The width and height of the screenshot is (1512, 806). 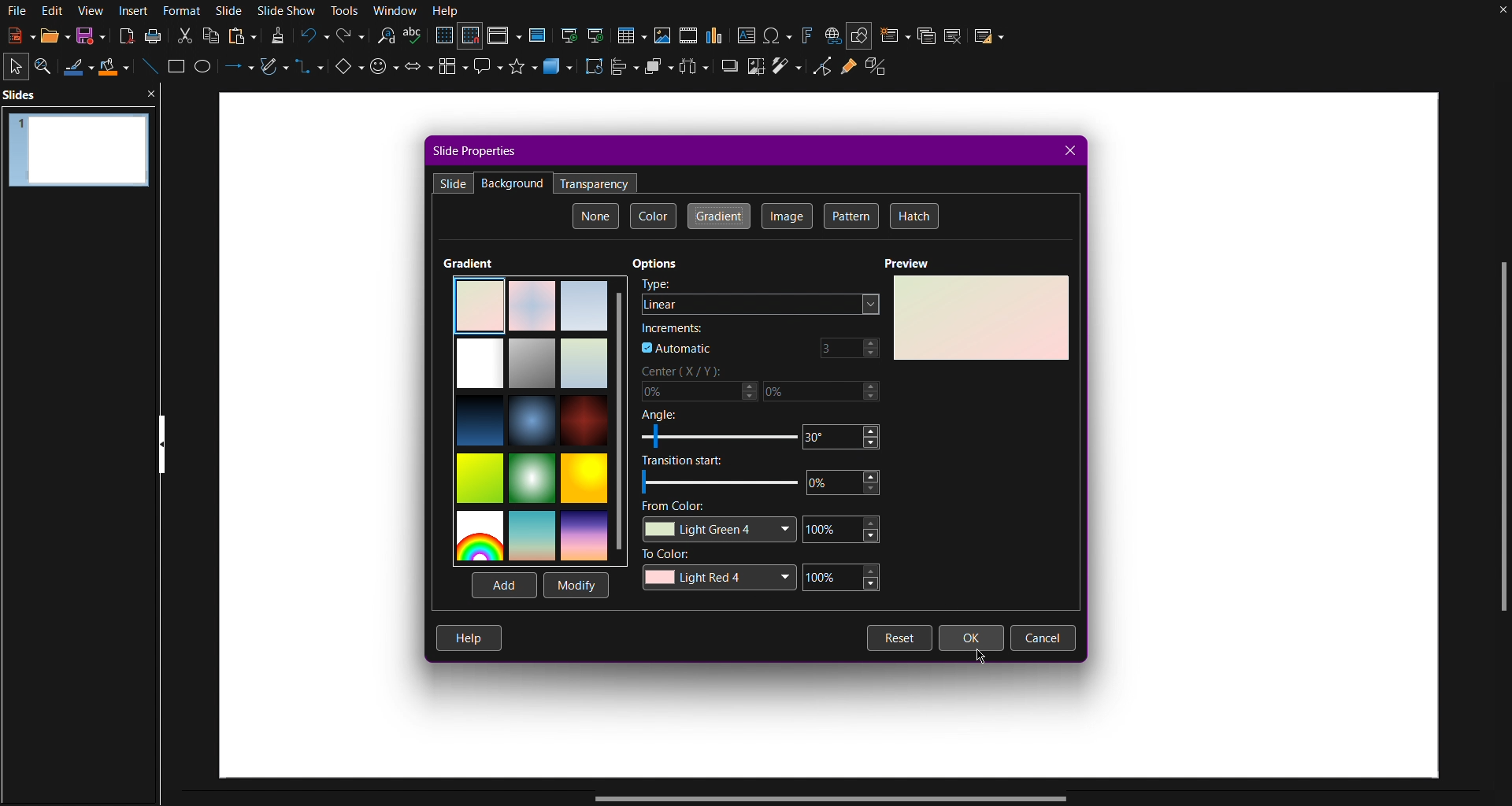 I want to click on Fill Color, so click(x=114, y=68).